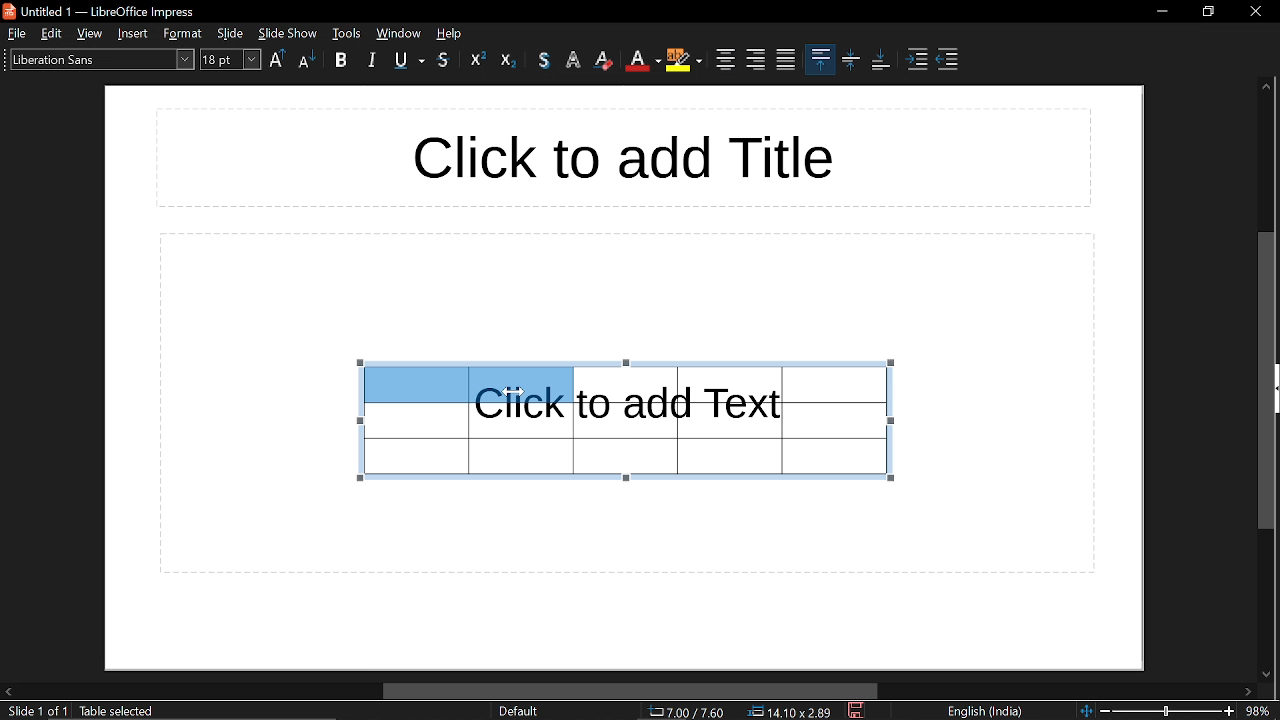  What do you see at coordinates (990, 712) in the screenshot?
I see `language` at bounding box center [990, 712].